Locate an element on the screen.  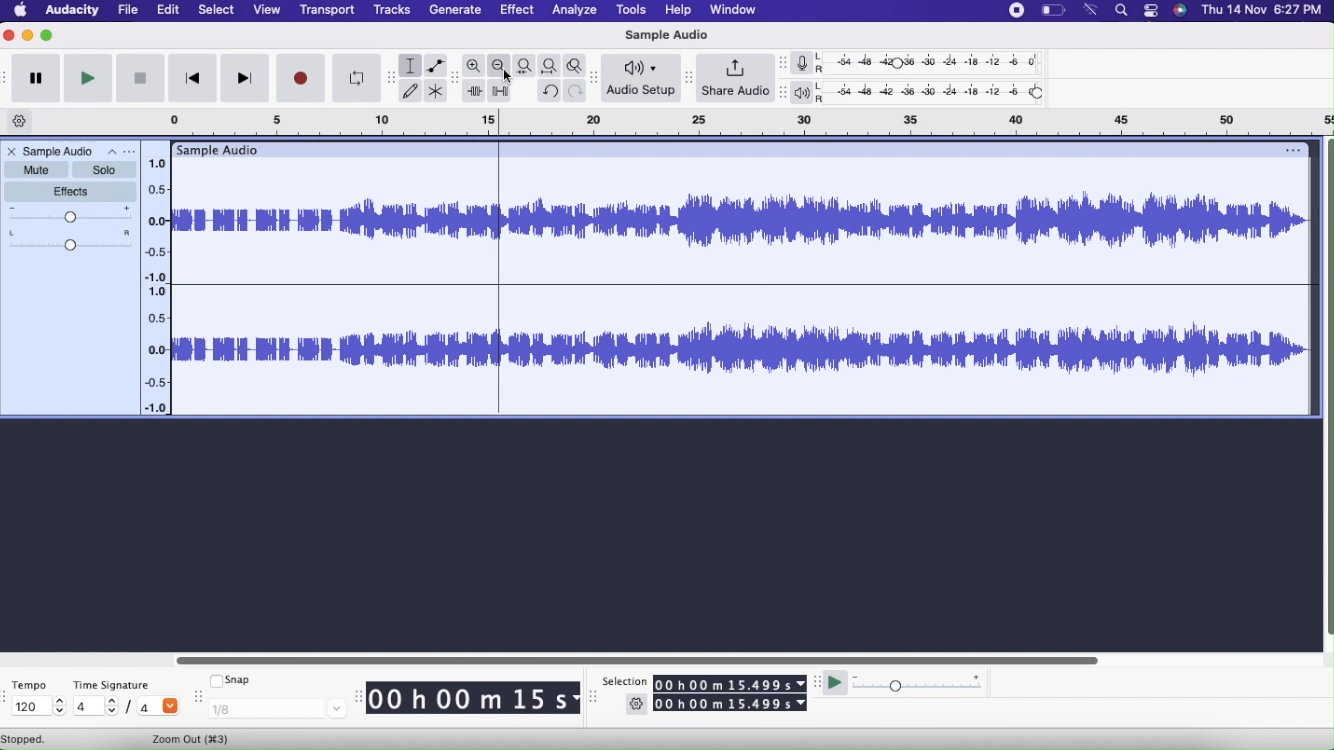
Close is located at coordinates (10, 36).